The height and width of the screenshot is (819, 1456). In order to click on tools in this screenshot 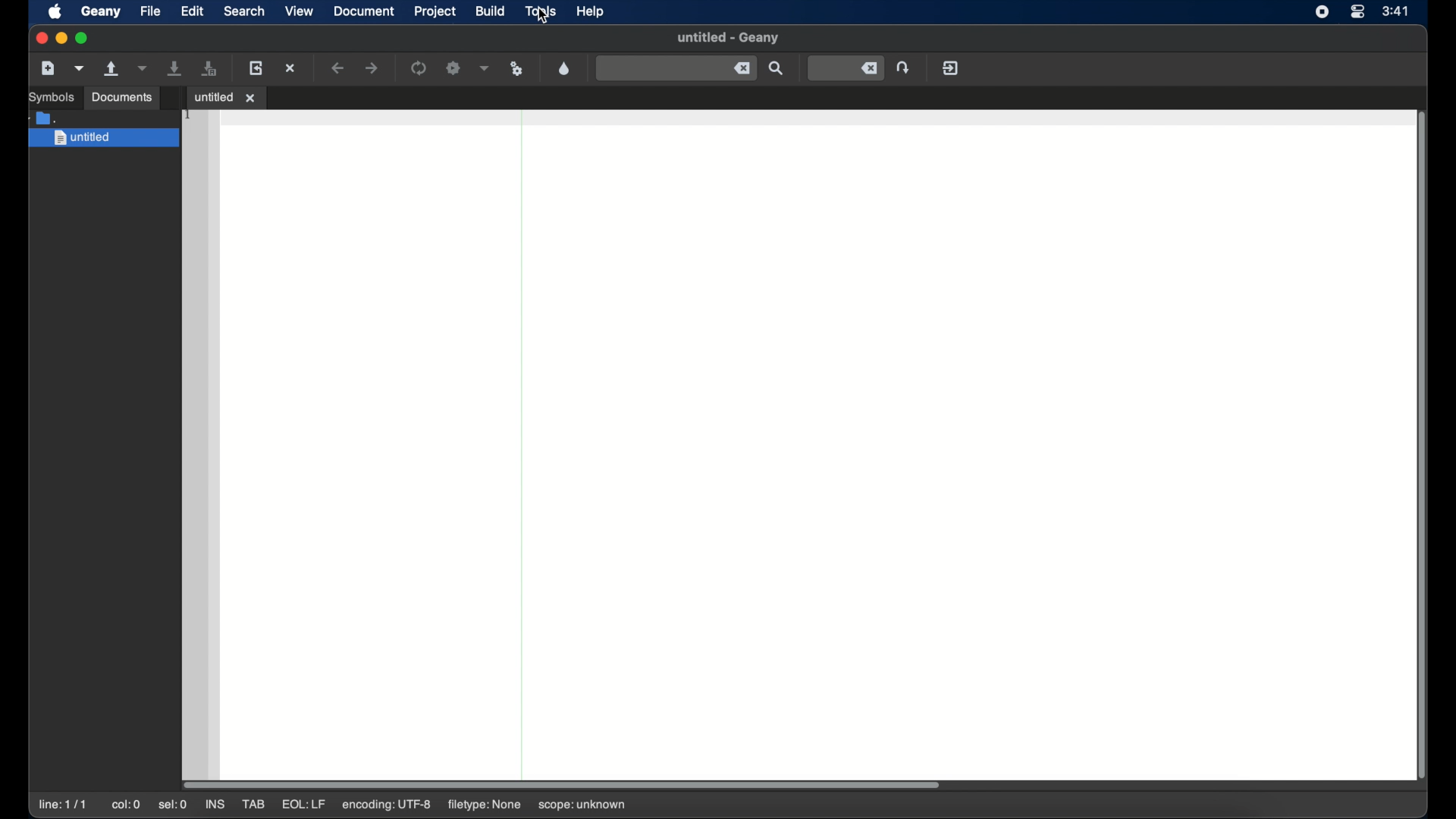, I will do `click(543, 11)`.